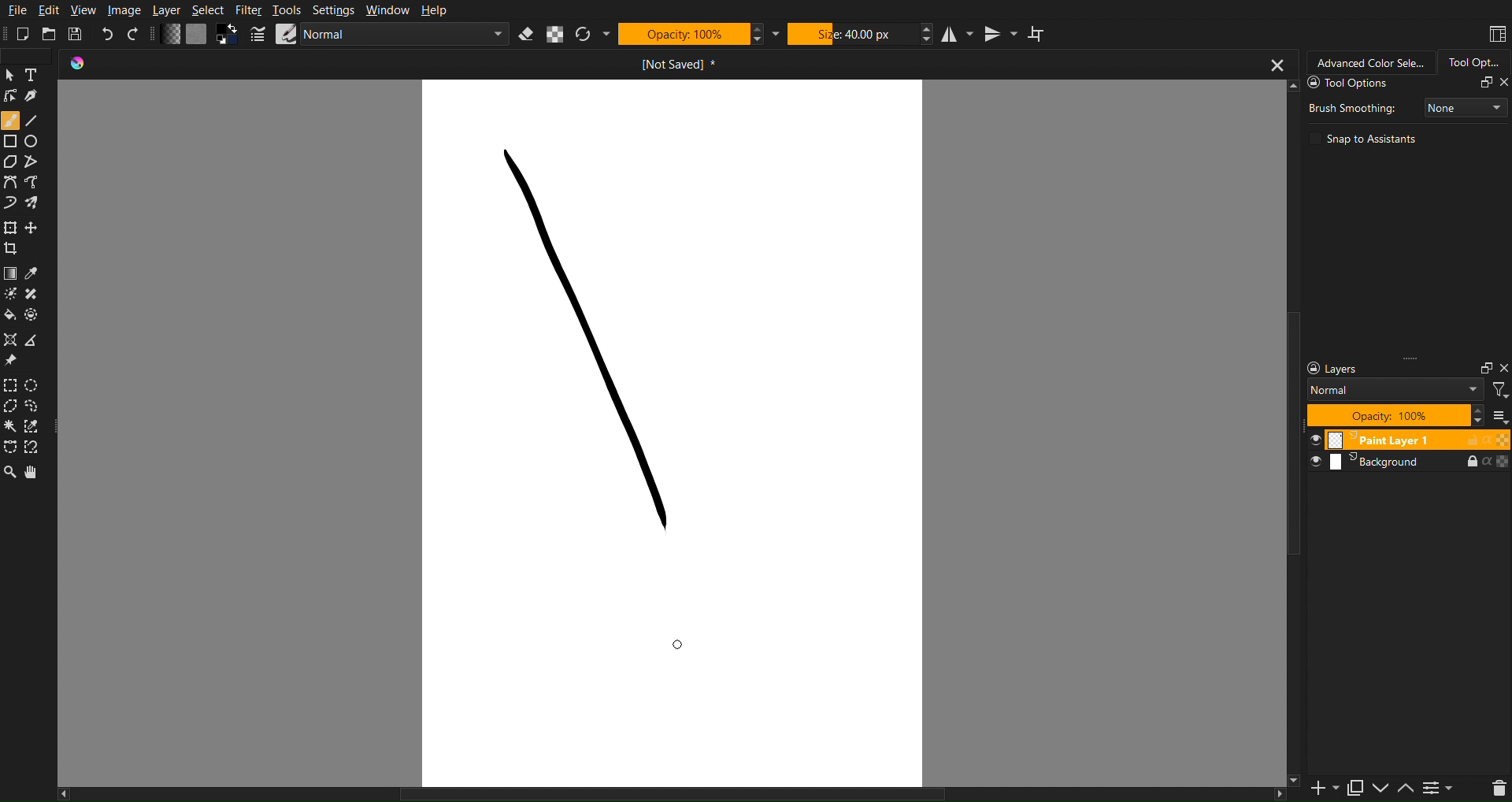 The image size is (1512, 802). Describe the element at coordinates (36, 448) in the screenshot. I see `Magnet Marquee` at that location.